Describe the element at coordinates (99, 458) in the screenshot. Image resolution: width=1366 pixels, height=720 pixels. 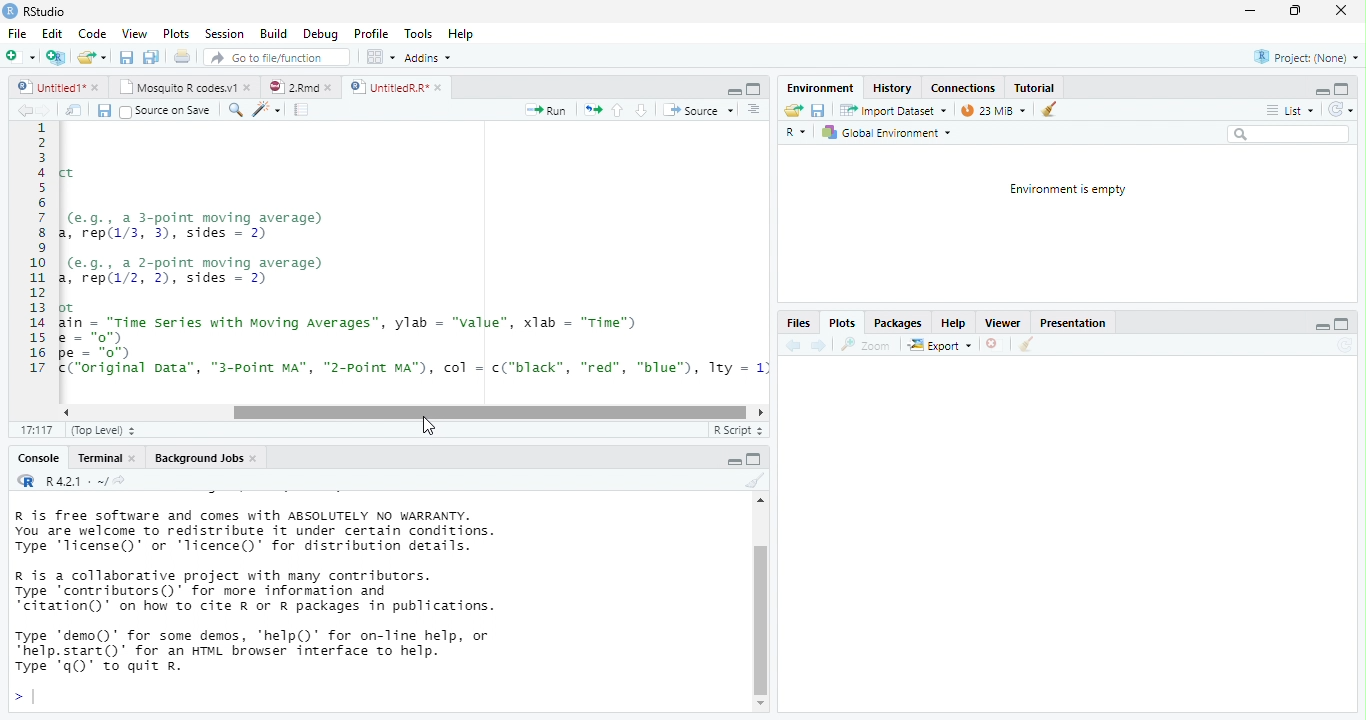
I see `Terminal` at that location.